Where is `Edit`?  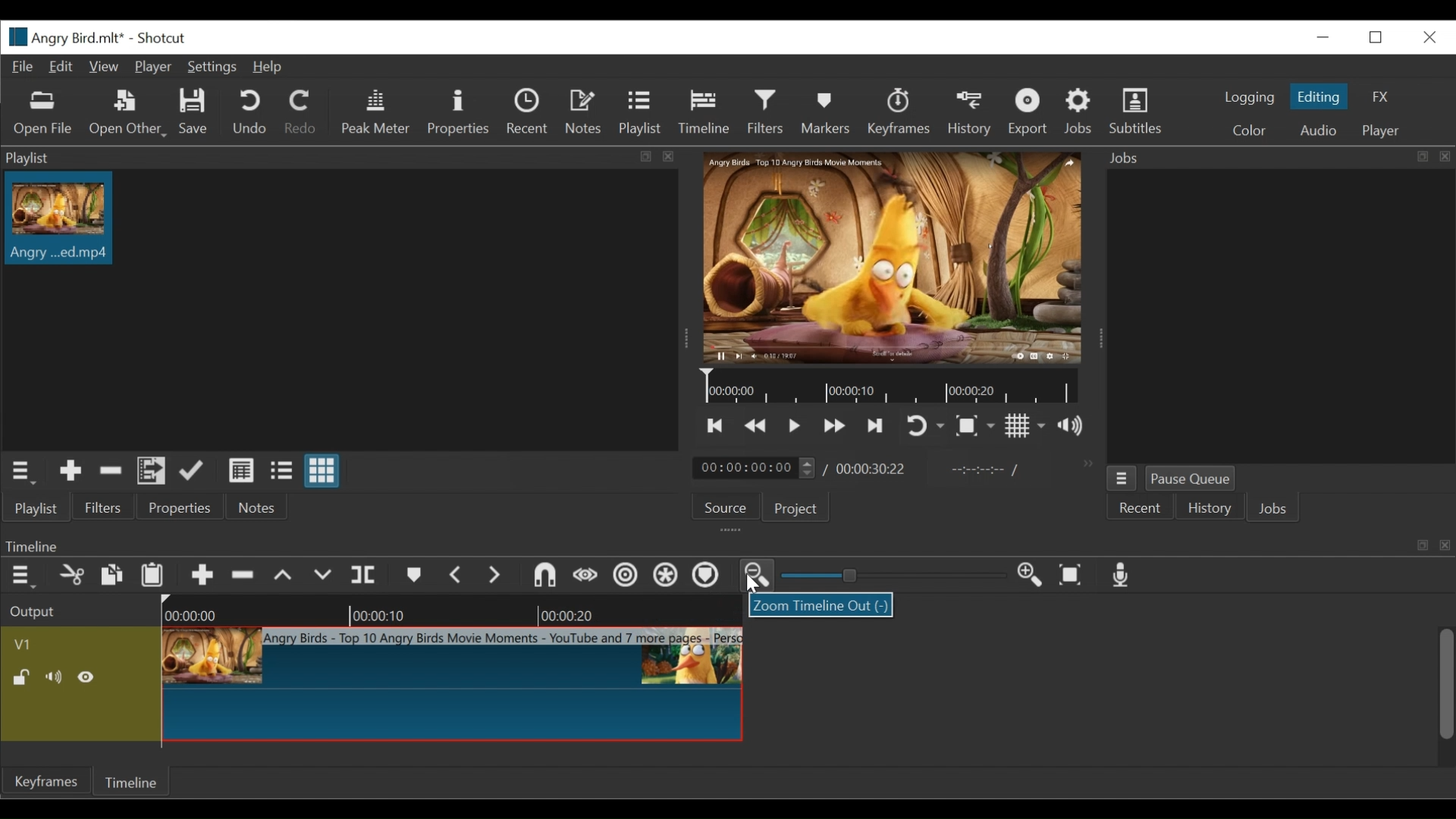
Edit is located at coordinates (58, 67).